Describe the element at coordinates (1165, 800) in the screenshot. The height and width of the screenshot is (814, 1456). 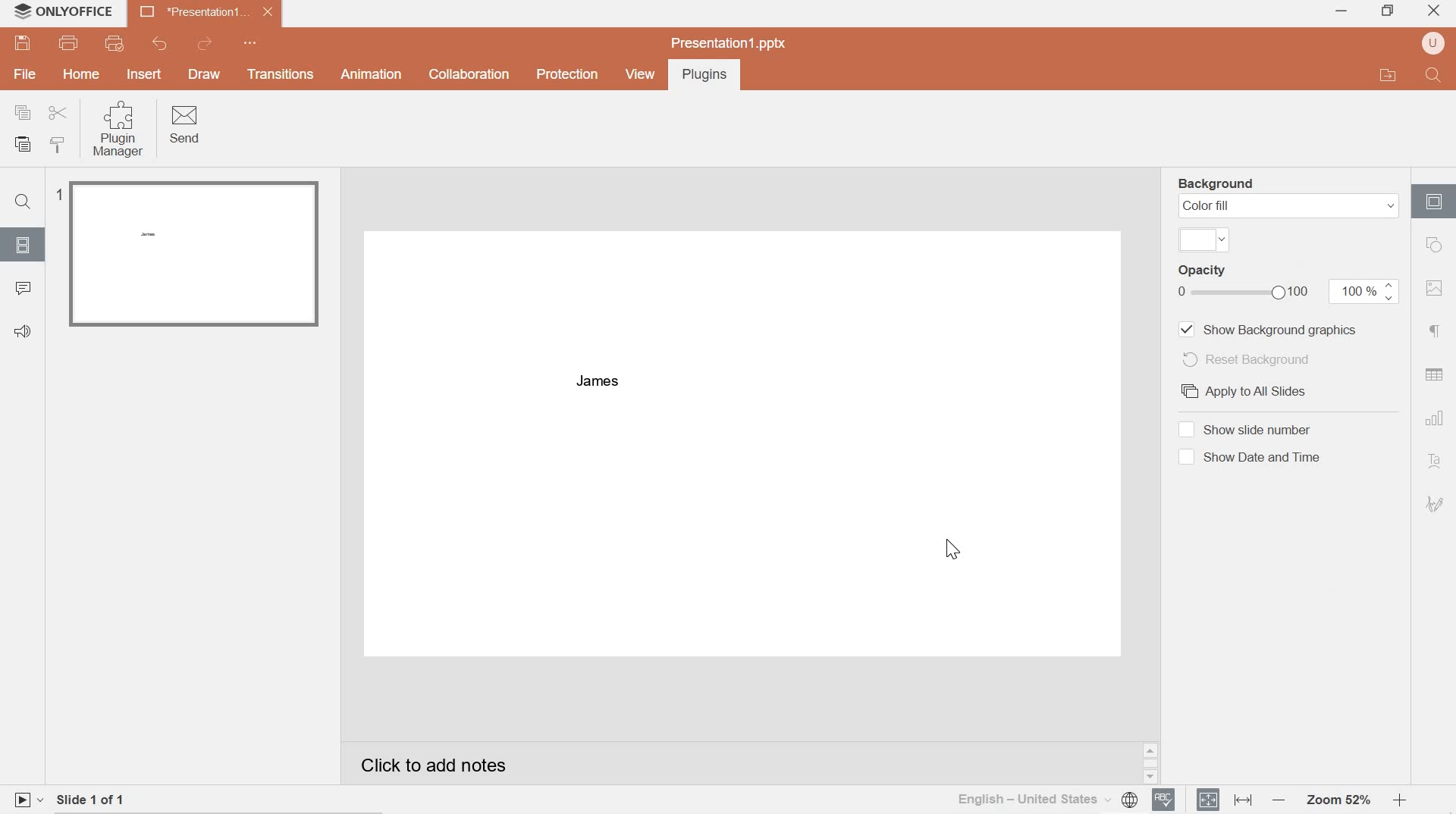
I see `spell checker` at that location.